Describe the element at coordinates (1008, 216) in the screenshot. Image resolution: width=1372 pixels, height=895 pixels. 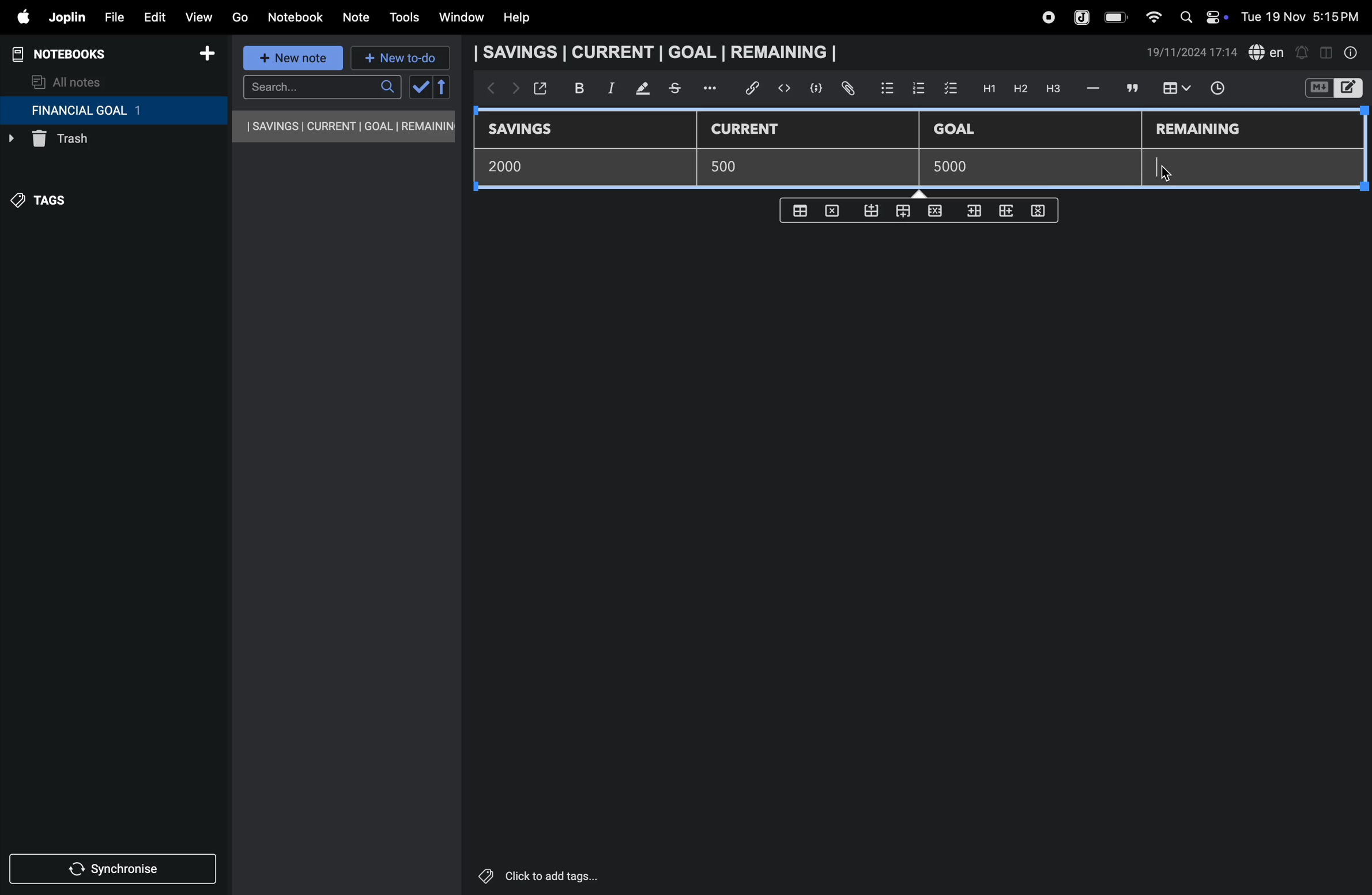
I see `add rows` at that location.